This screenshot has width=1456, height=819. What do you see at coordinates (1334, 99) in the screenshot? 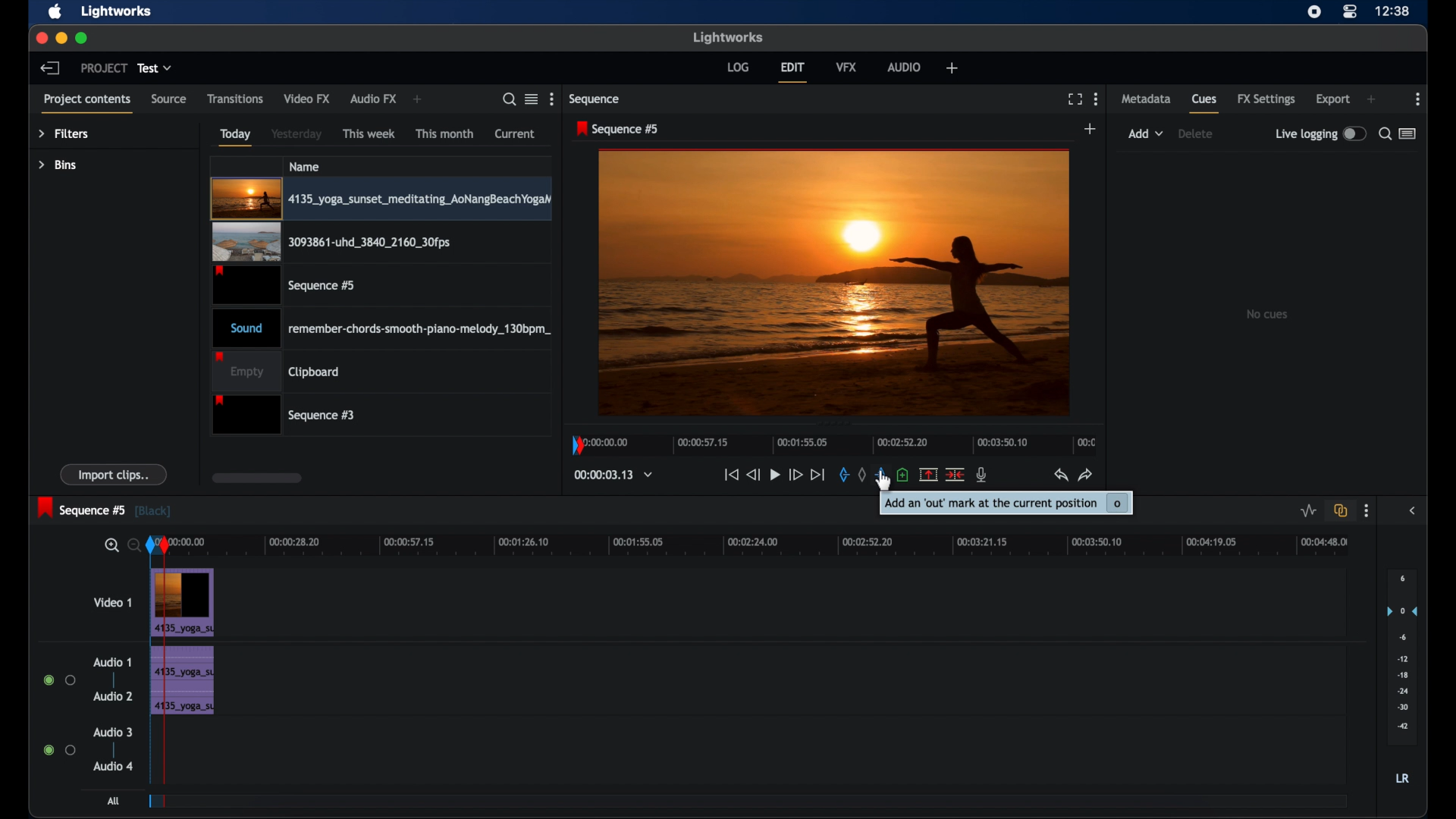
I see `export` at bounding box center [1334, 99].